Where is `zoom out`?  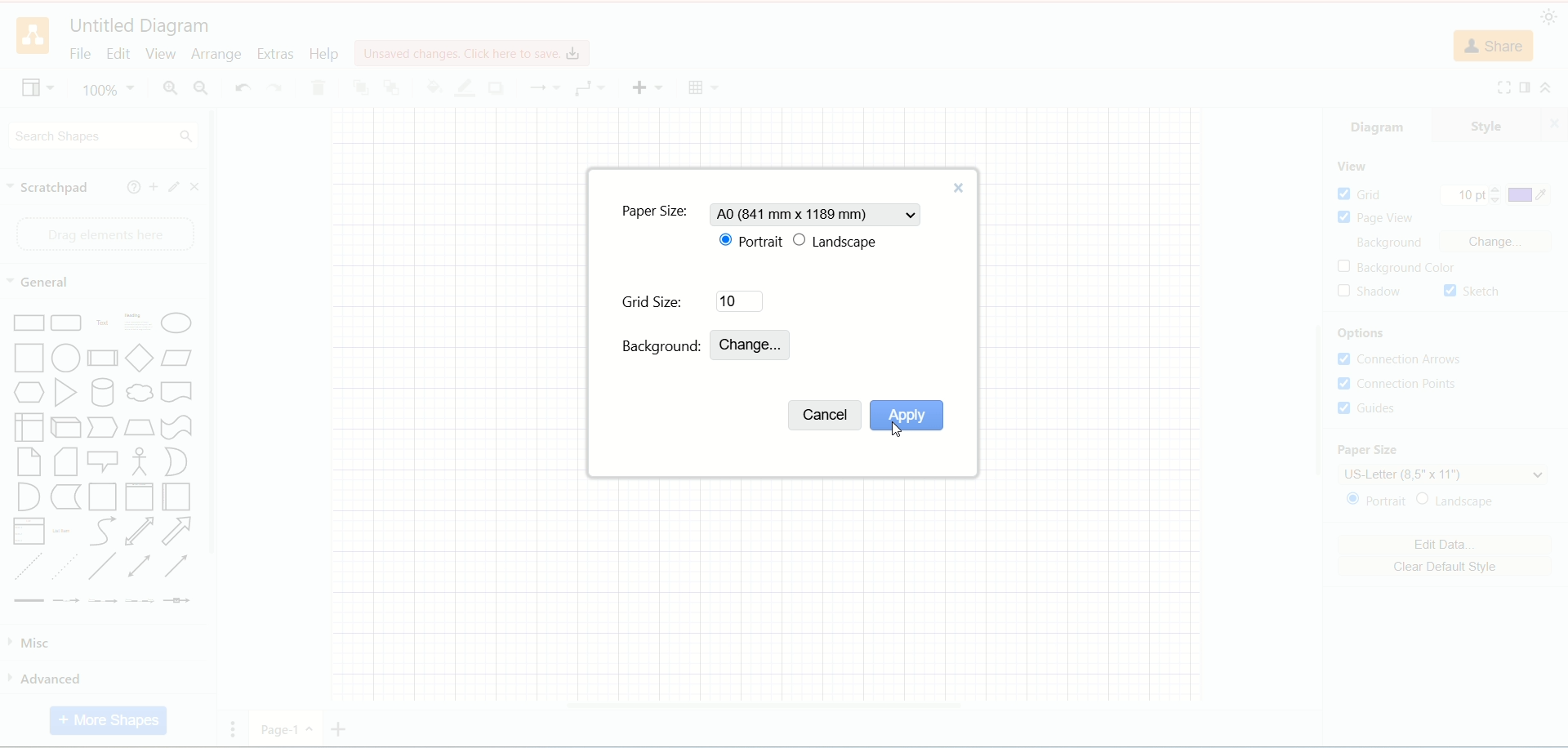 zoom out is located at coordinates (202, 87).